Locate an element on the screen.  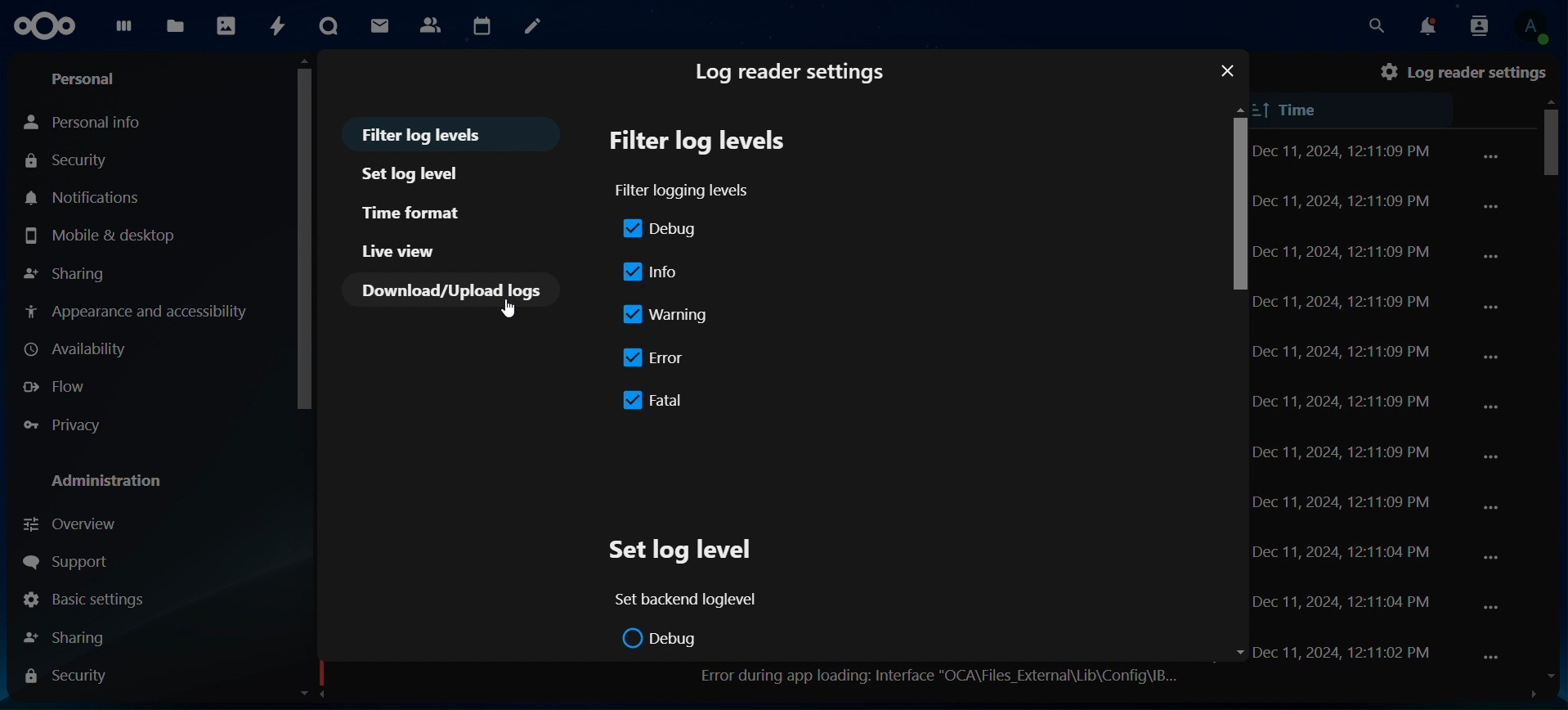
privacy is located at coordinates (69, 425).